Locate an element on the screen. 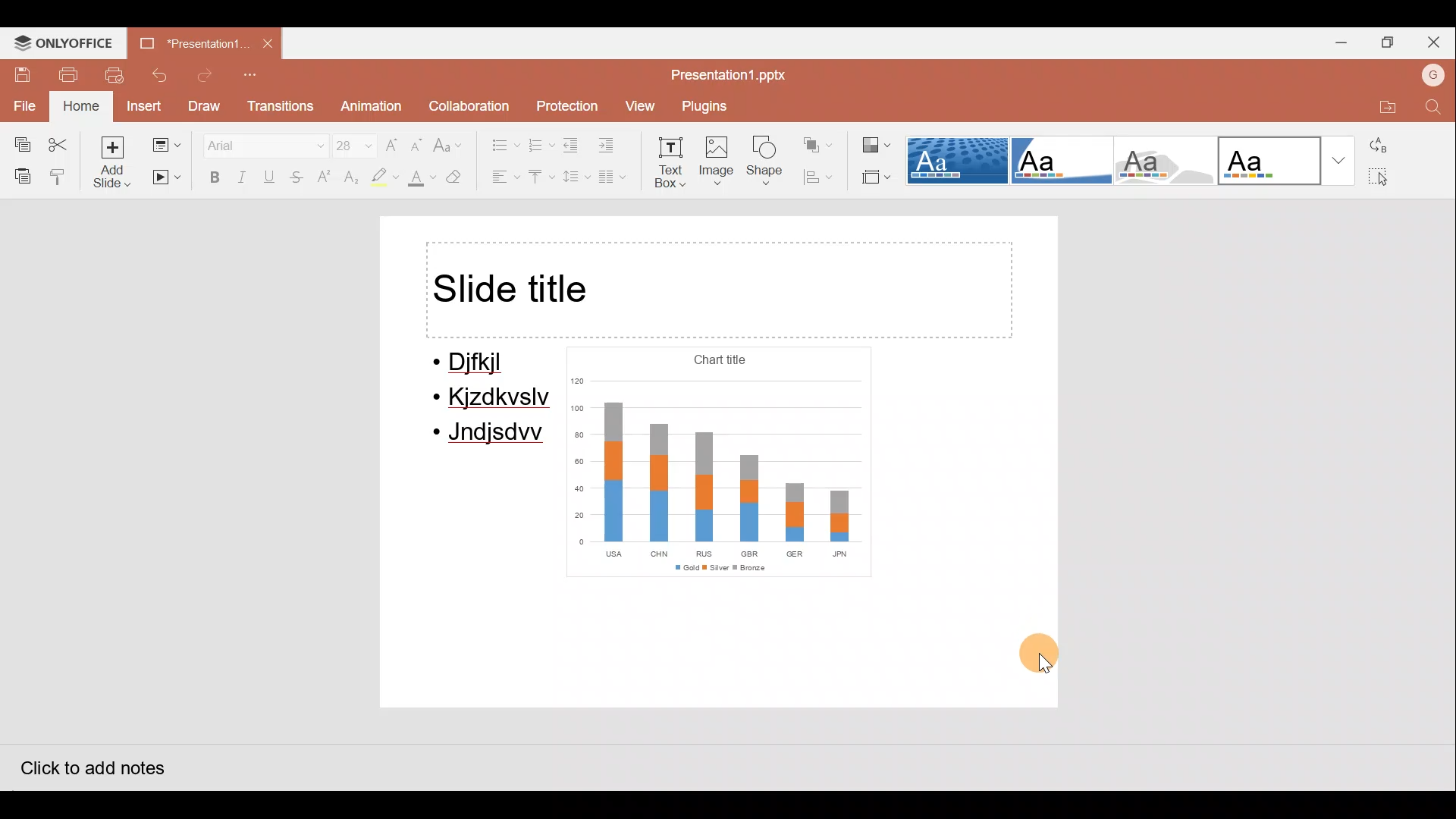  Select all is located at coordinates (1386, 178).